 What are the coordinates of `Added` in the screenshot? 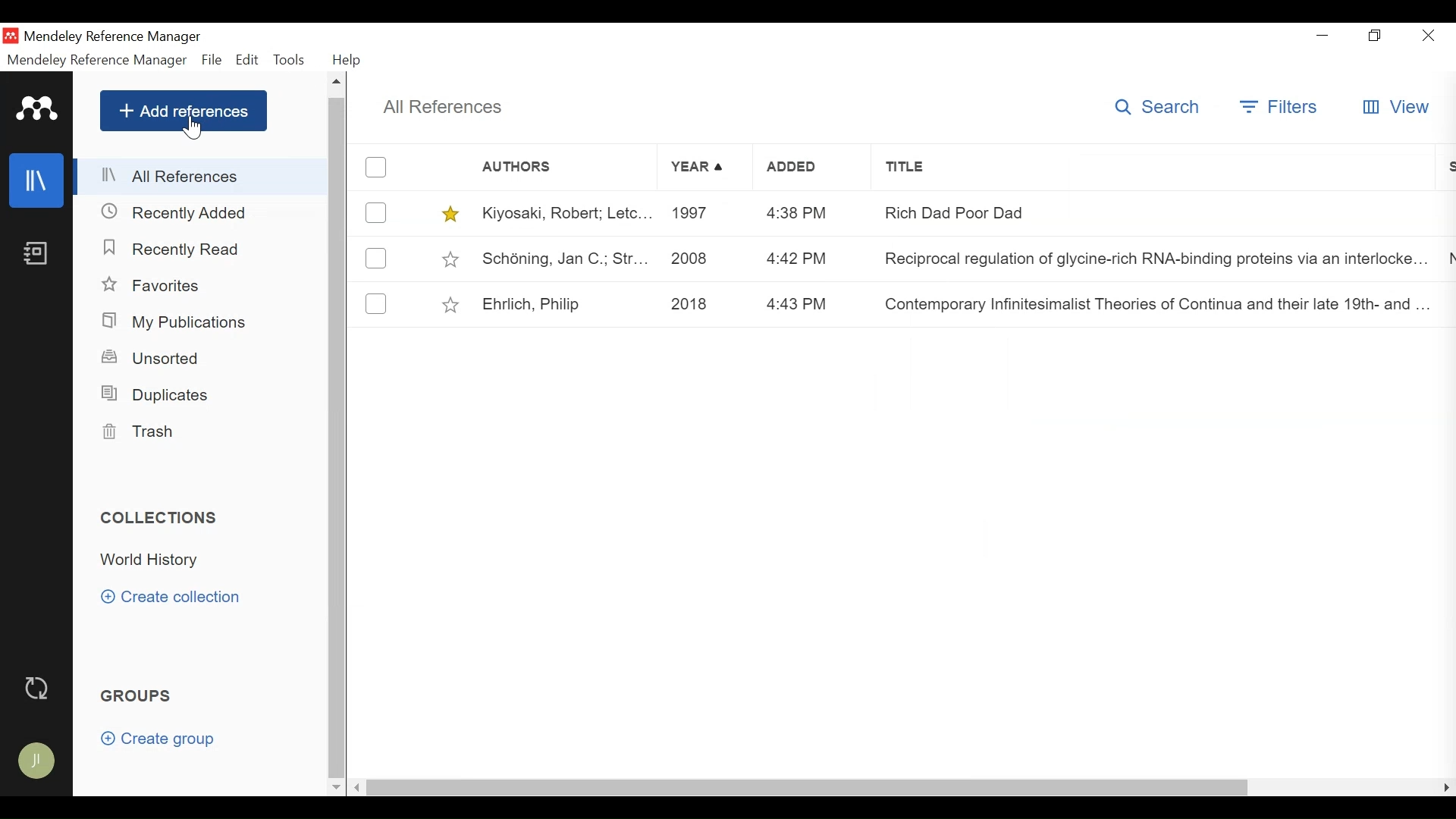 It's located at (812, 170).